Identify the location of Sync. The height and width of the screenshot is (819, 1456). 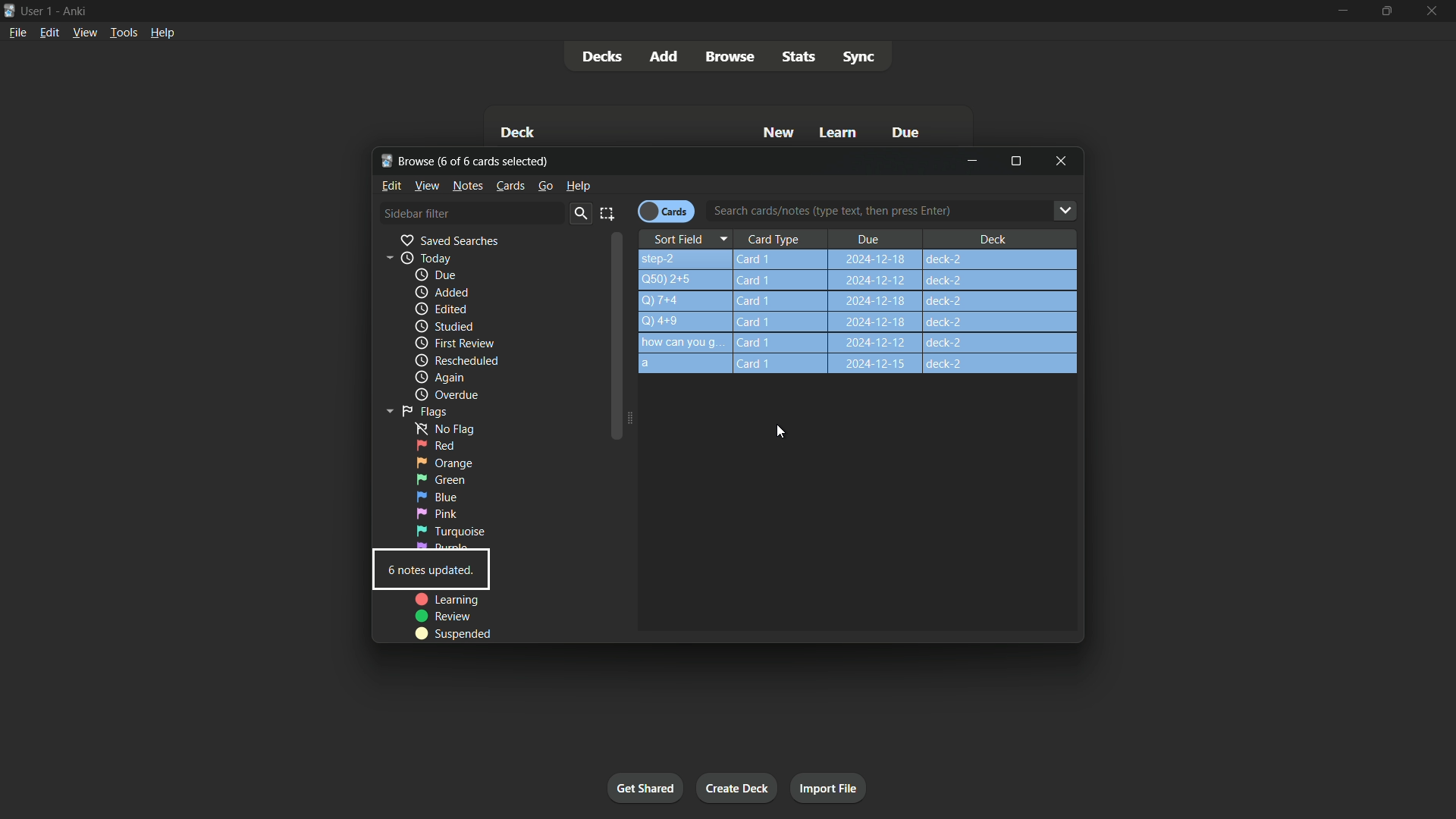
(858, 57).